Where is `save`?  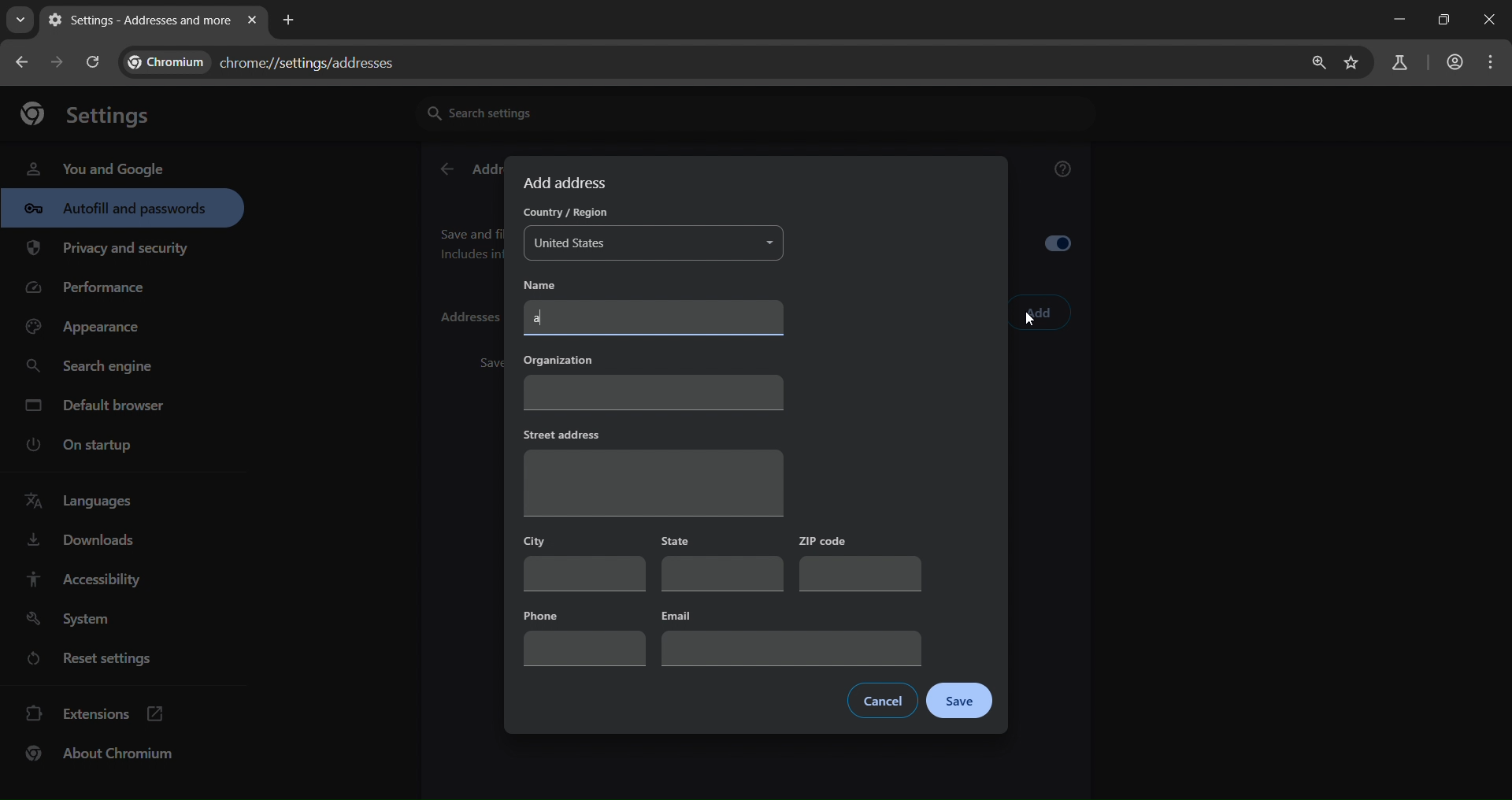 save is located at coordinates (961, 701).